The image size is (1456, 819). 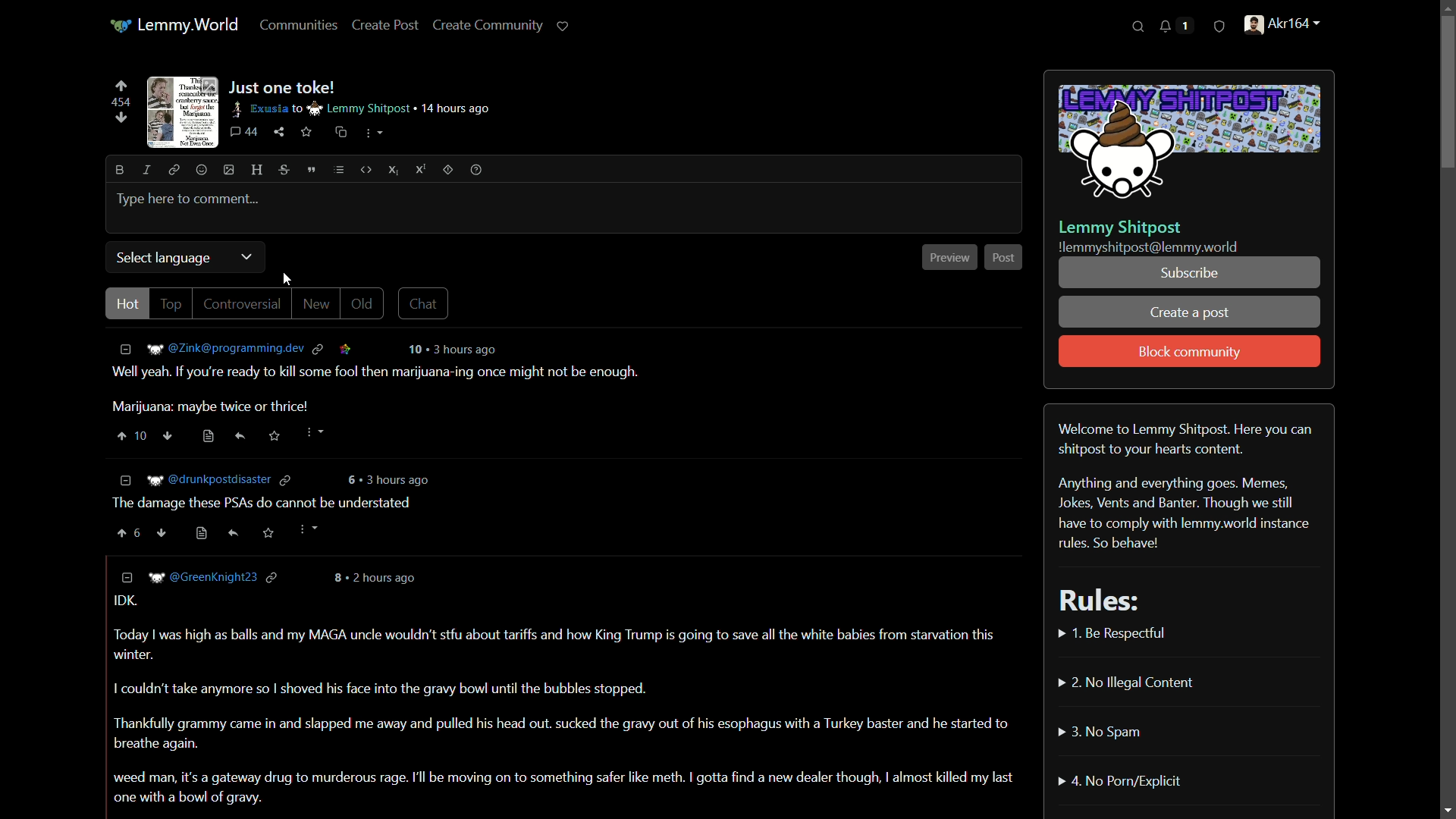 What do you see at coordinates (422, 305) in the screenshot?
I see `chat` at bounding box center [422, 305].